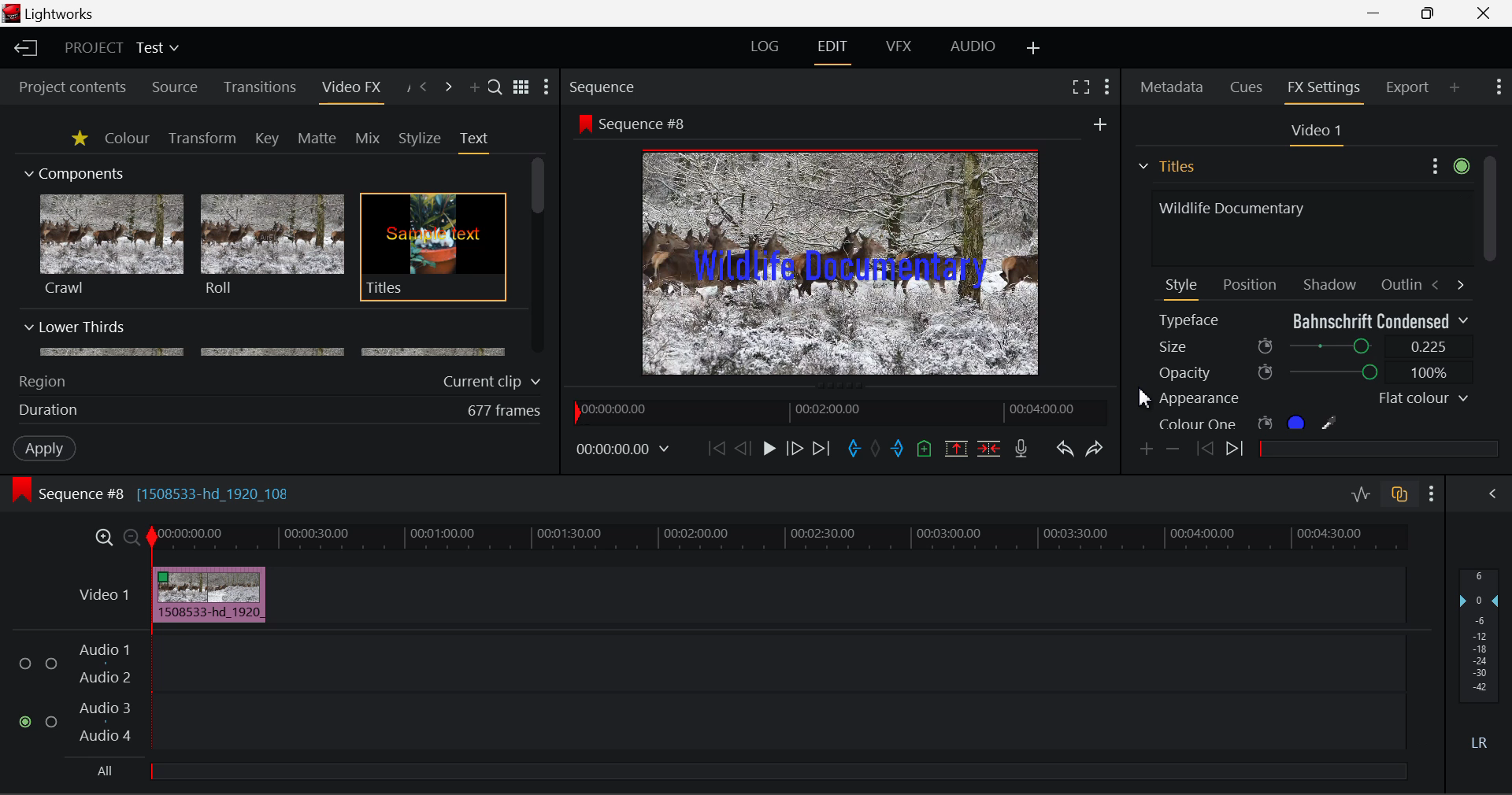 The height and width of the screenshot is (795, 1512). I want to click on Titles Section, so click(1166, 166).